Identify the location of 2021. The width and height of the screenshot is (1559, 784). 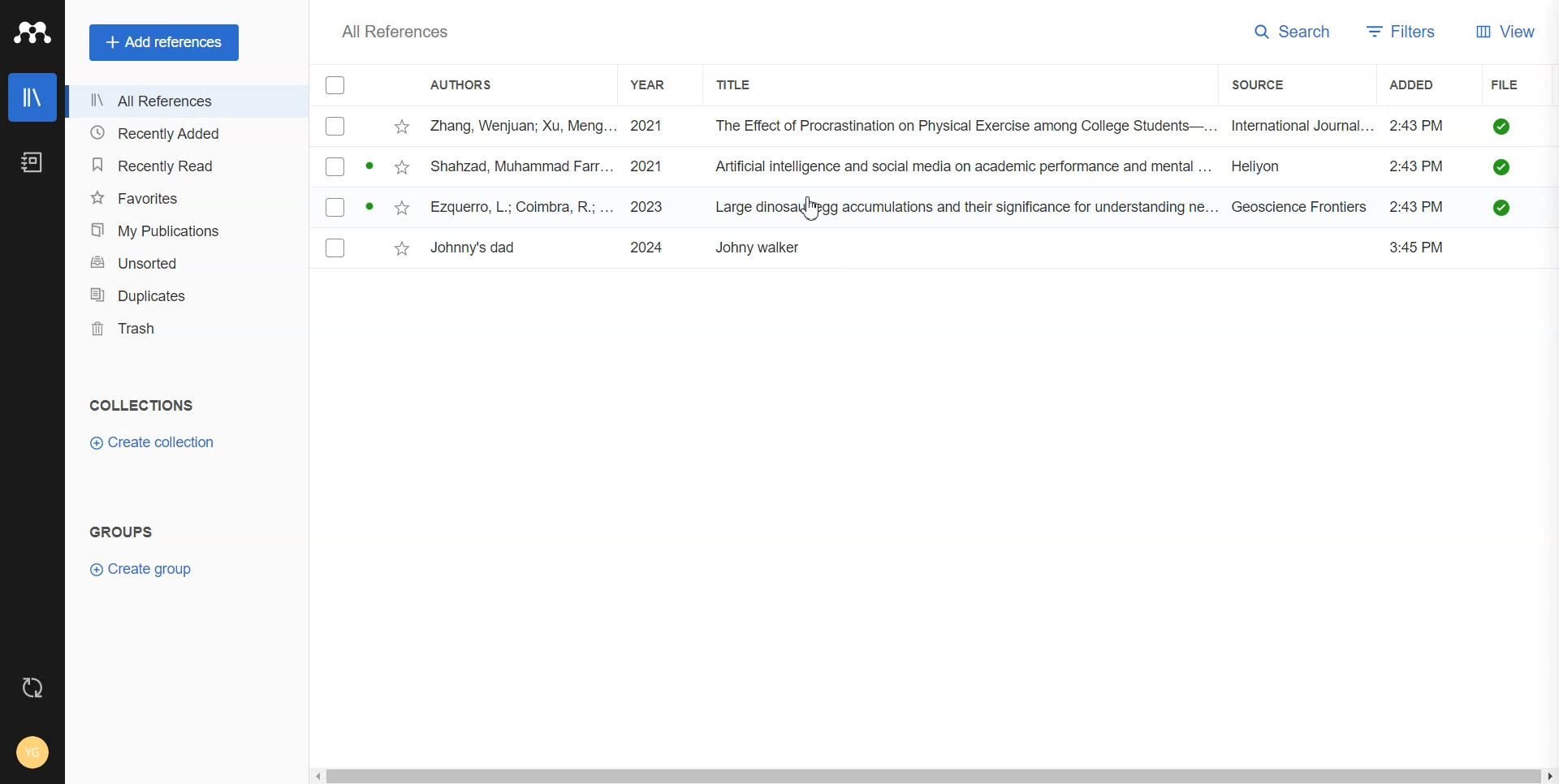
(644, 166).